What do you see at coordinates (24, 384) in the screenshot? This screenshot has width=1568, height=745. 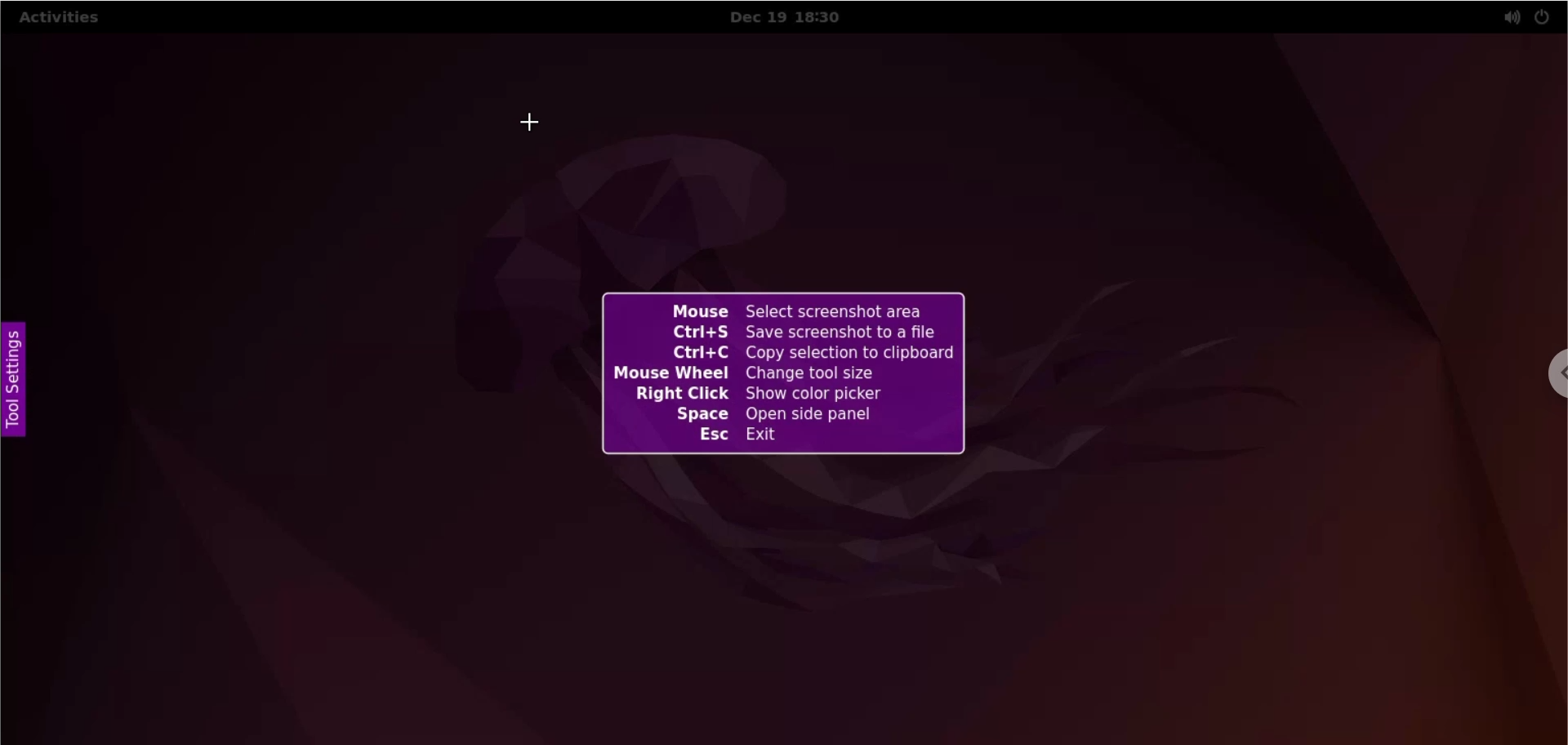 I see `tool settings` at bounding box center [24, 384].